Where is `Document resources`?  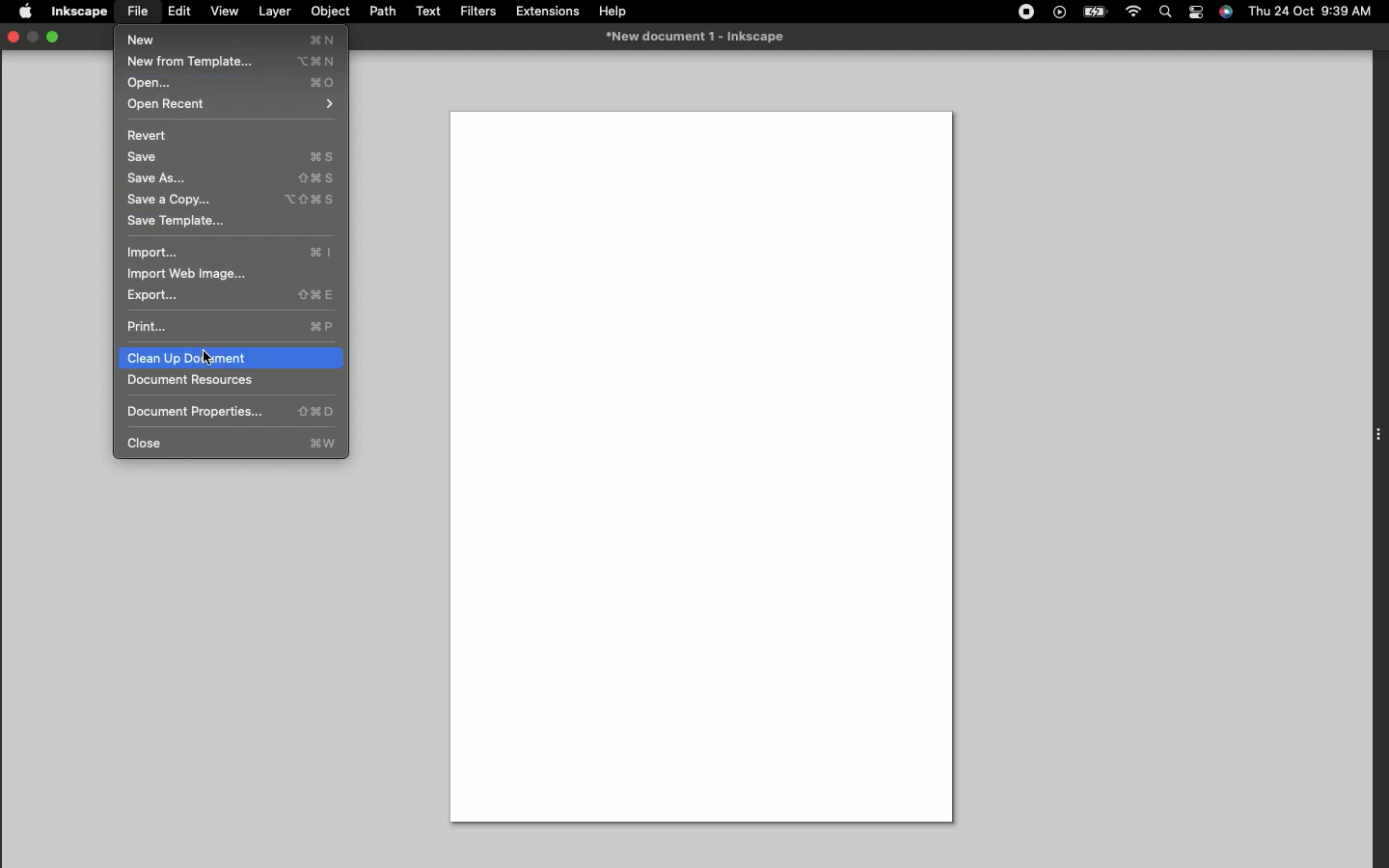 Document resources is located at coordinates (193, 381).